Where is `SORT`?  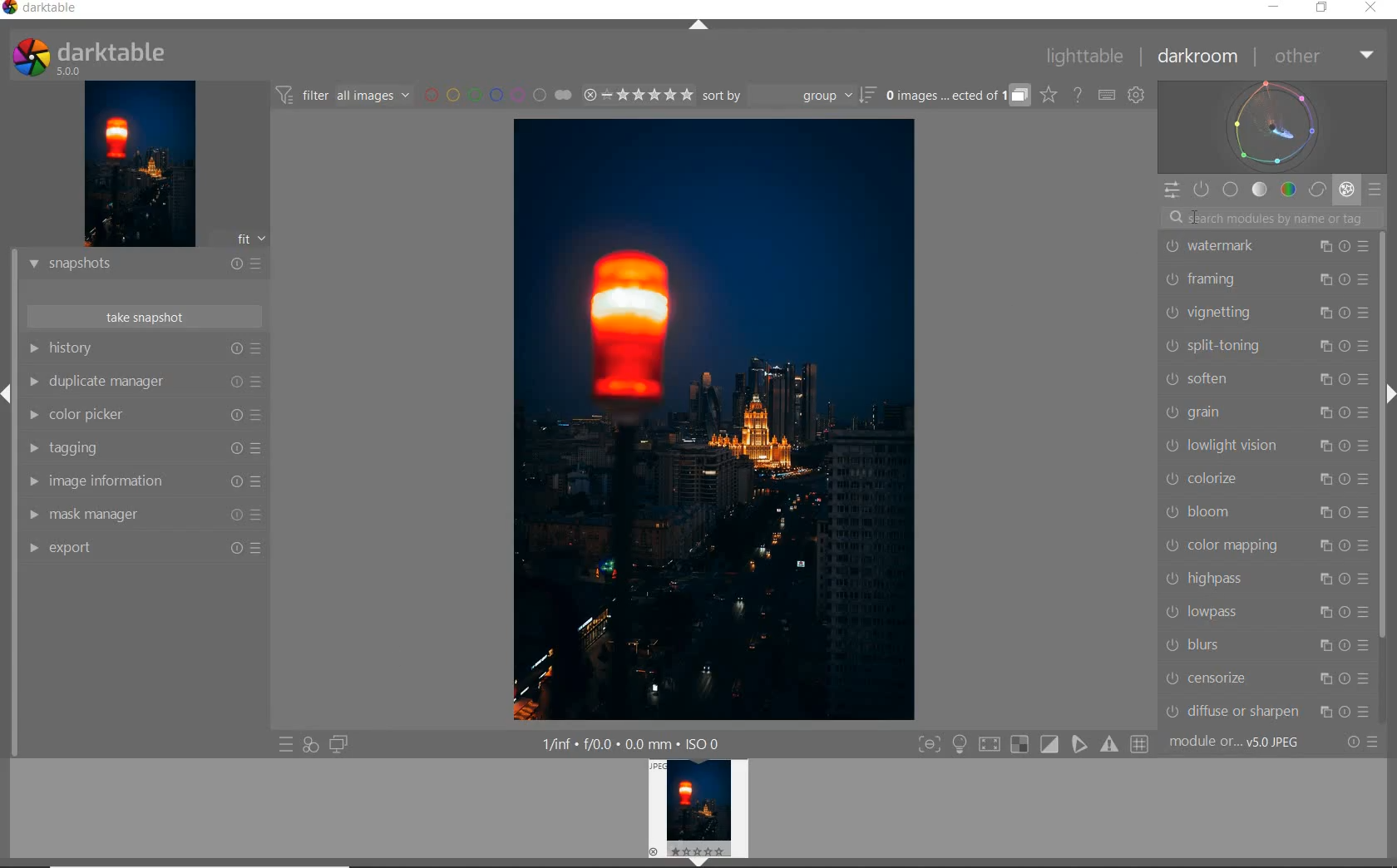 SORT is located at coordinates (787, 97).